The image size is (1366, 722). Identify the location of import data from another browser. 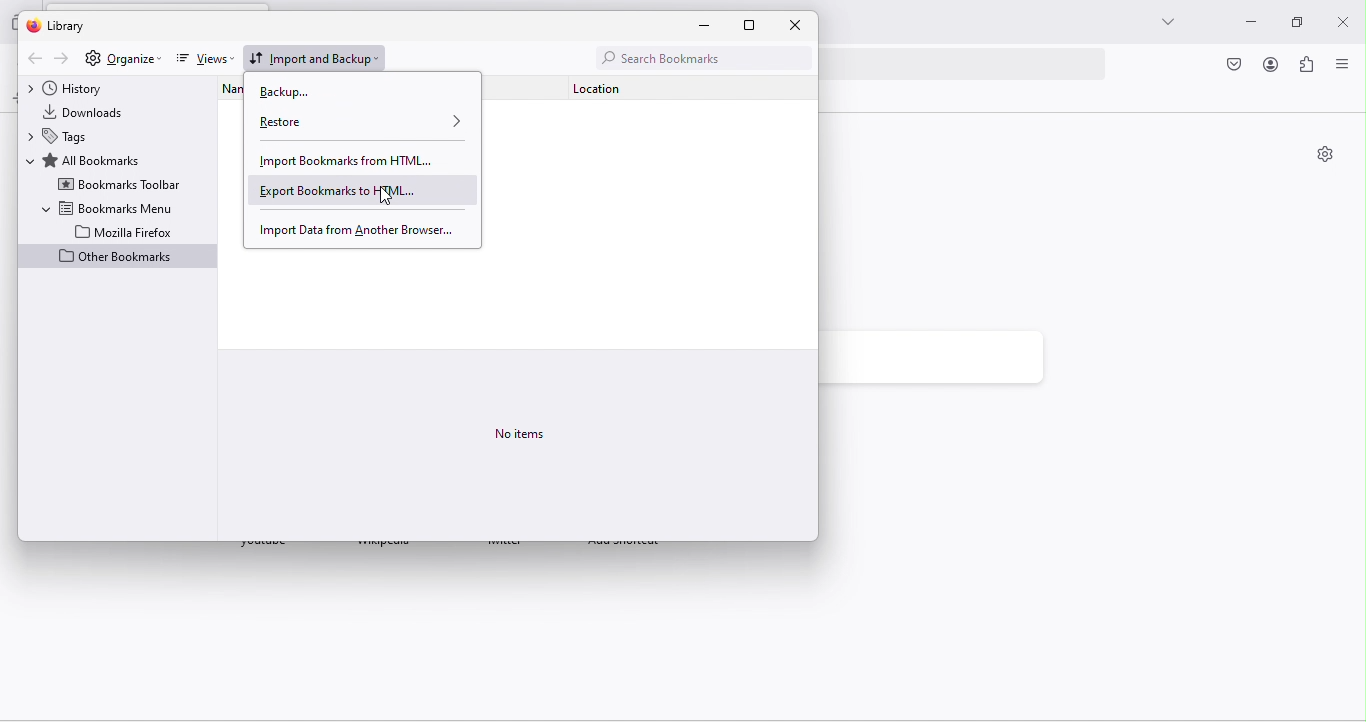
(354, 228).